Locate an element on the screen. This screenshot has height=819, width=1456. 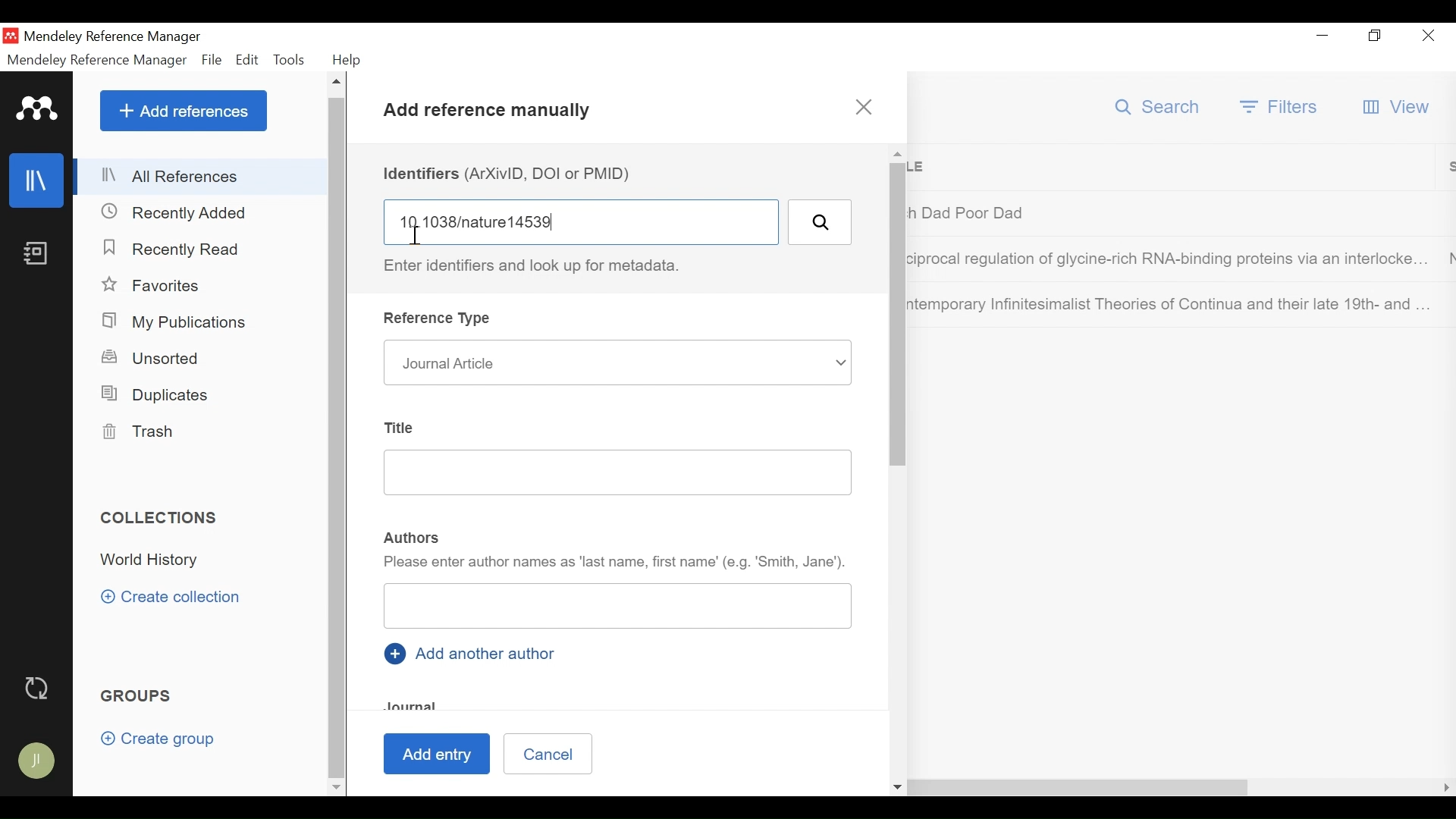
Scroll Right is located at coordinates (1445, 788).